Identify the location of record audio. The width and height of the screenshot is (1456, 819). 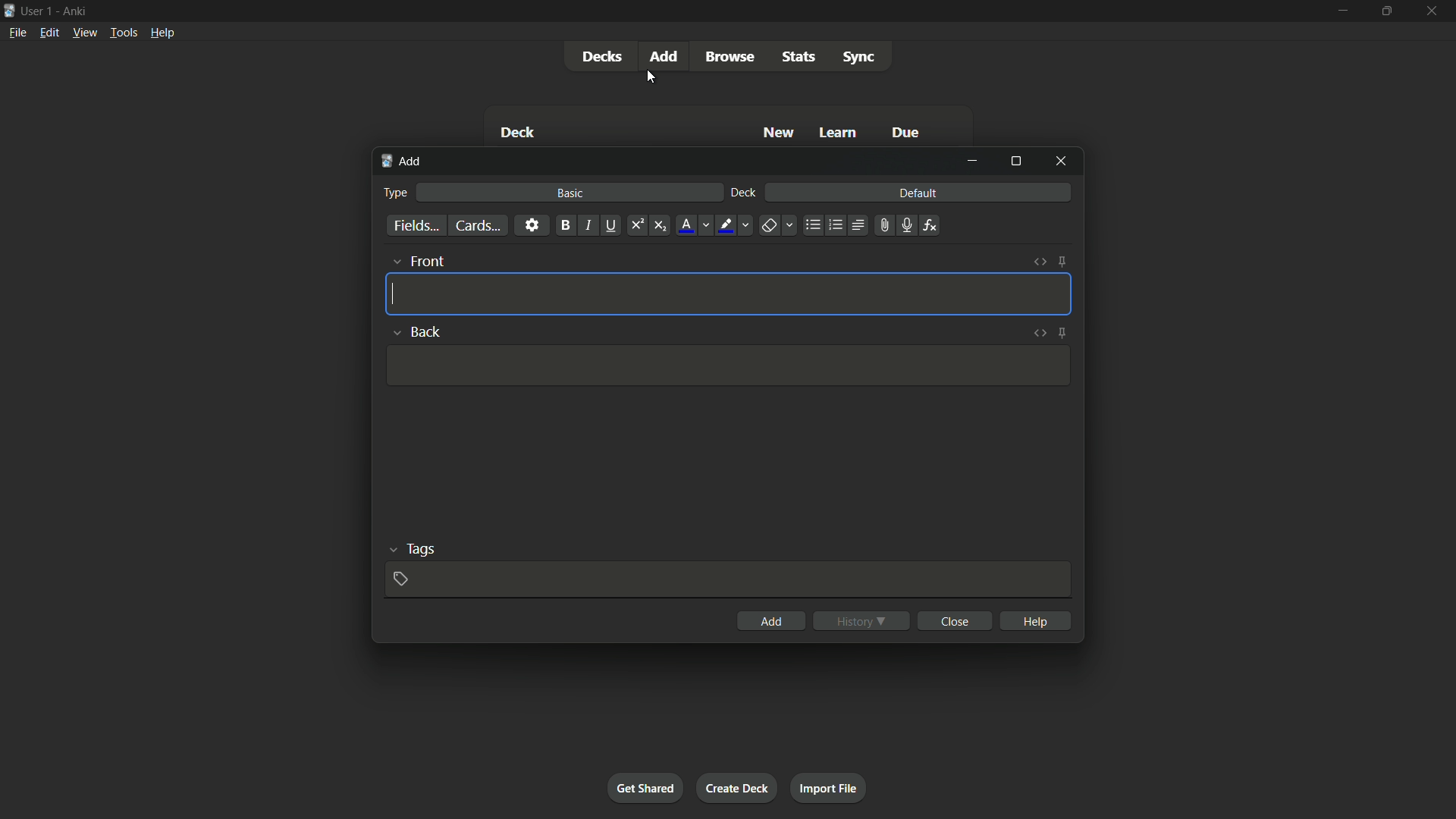
(905, 226).